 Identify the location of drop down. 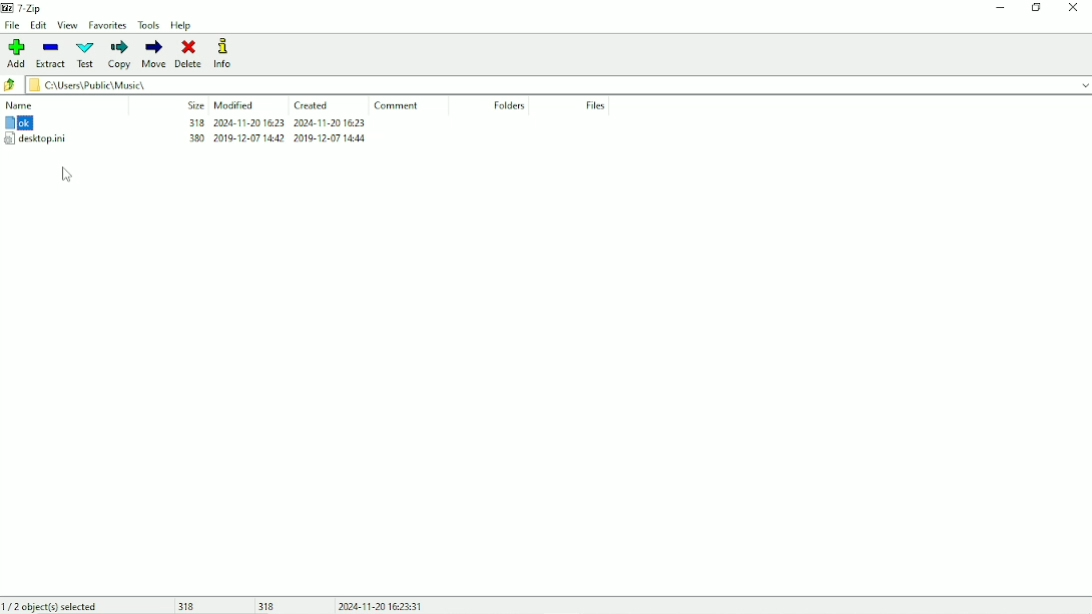
(1078, 84).